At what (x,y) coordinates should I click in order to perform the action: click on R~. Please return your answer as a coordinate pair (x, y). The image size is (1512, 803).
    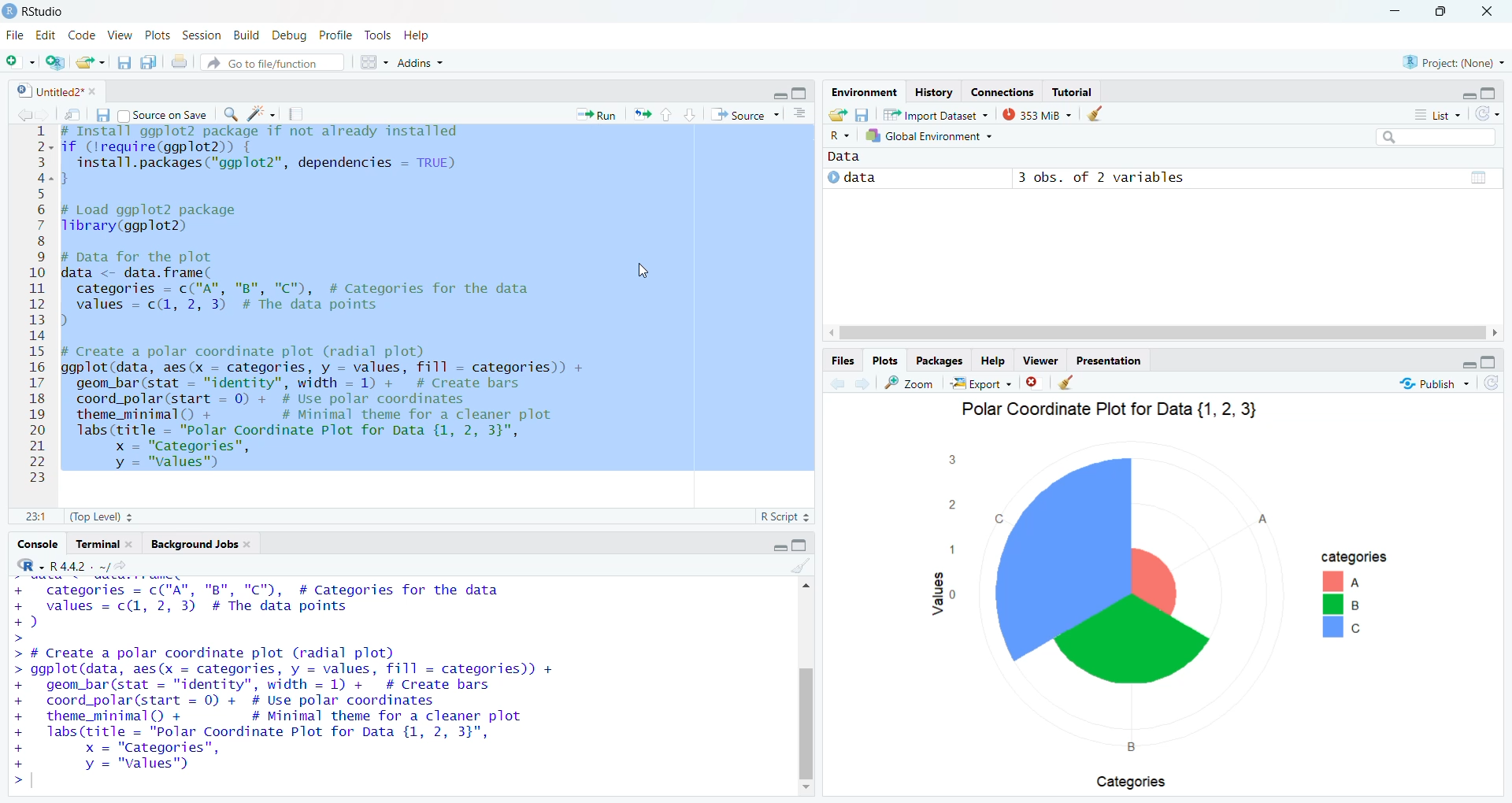
    Looking at the image, I should click on (838, 136).